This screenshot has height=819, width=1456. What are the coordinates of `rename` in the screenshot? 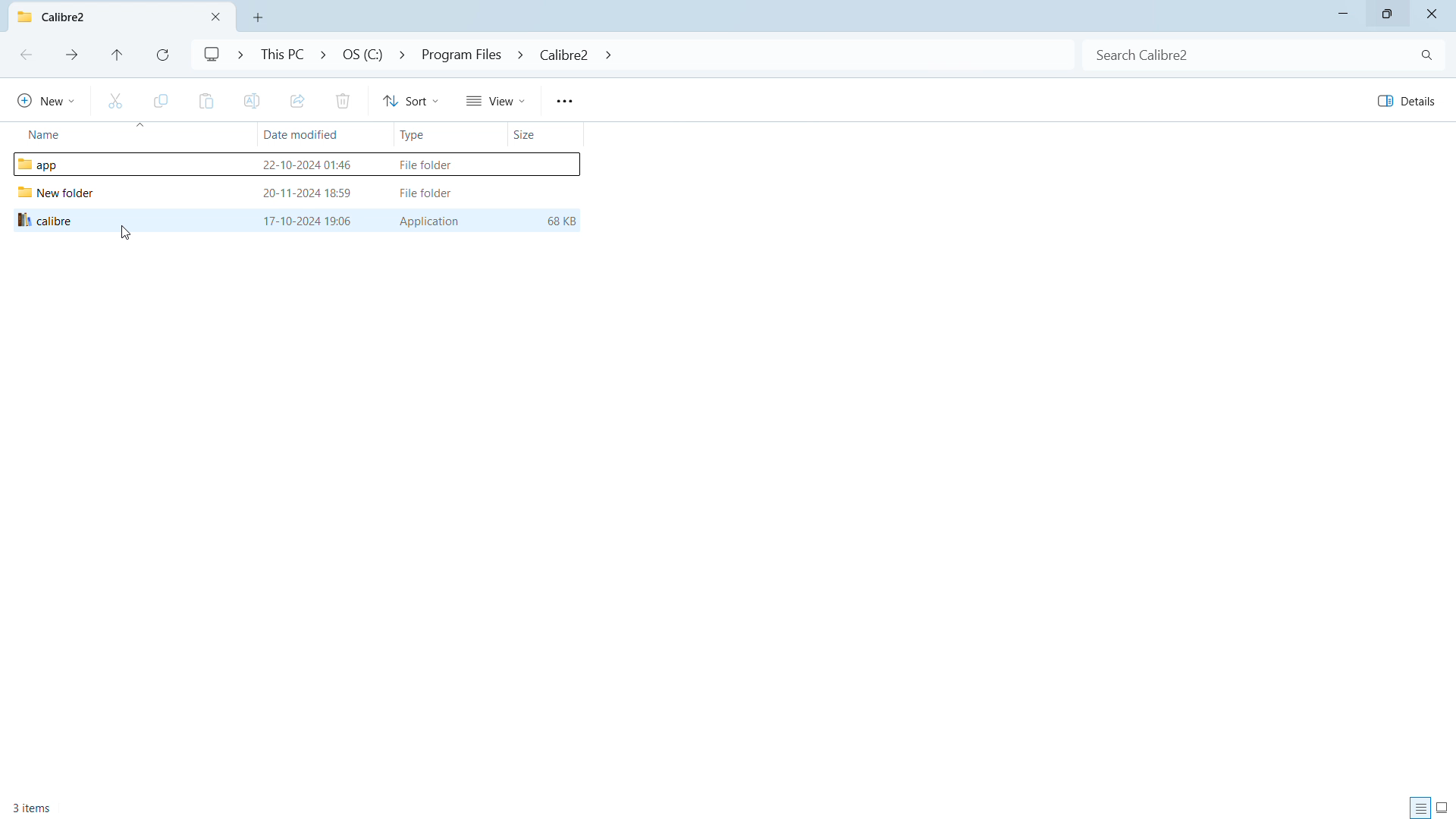 It's located at (253, 100).